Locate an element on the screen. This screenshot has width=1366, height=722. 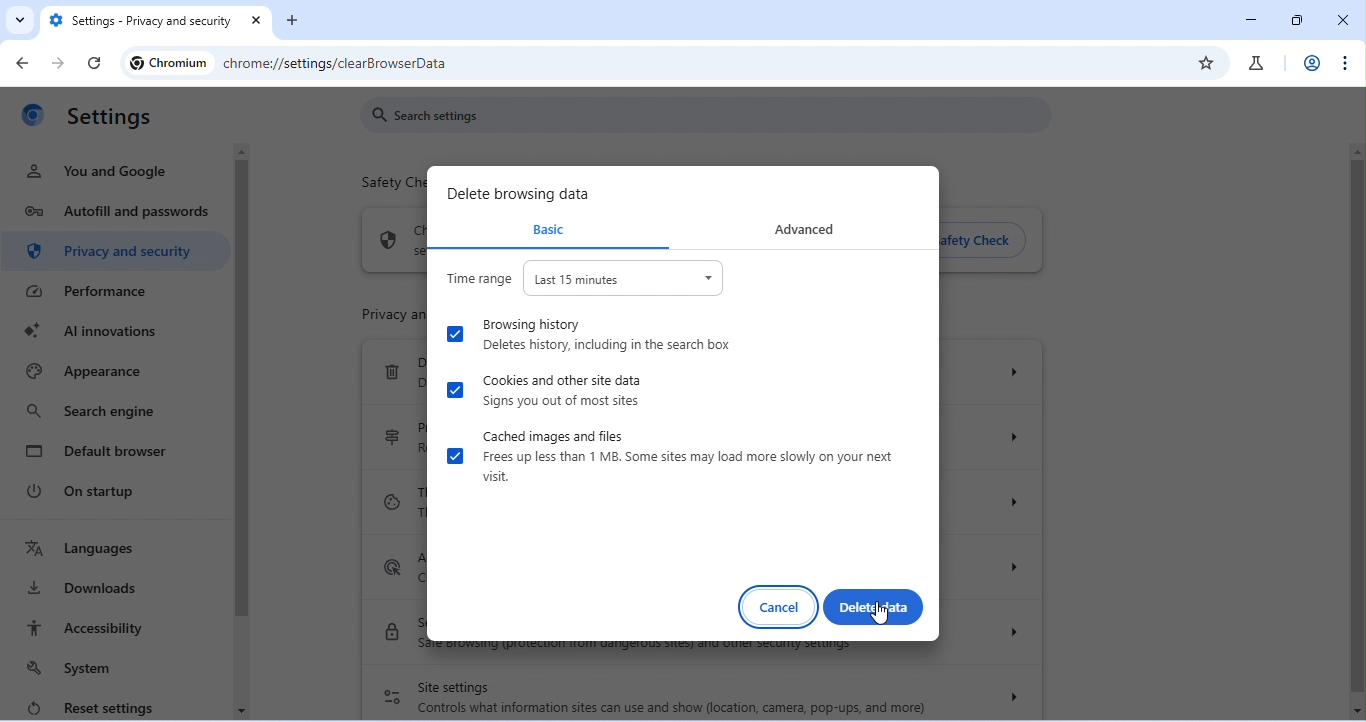
cached images and files is located at coordinates (554, 435).